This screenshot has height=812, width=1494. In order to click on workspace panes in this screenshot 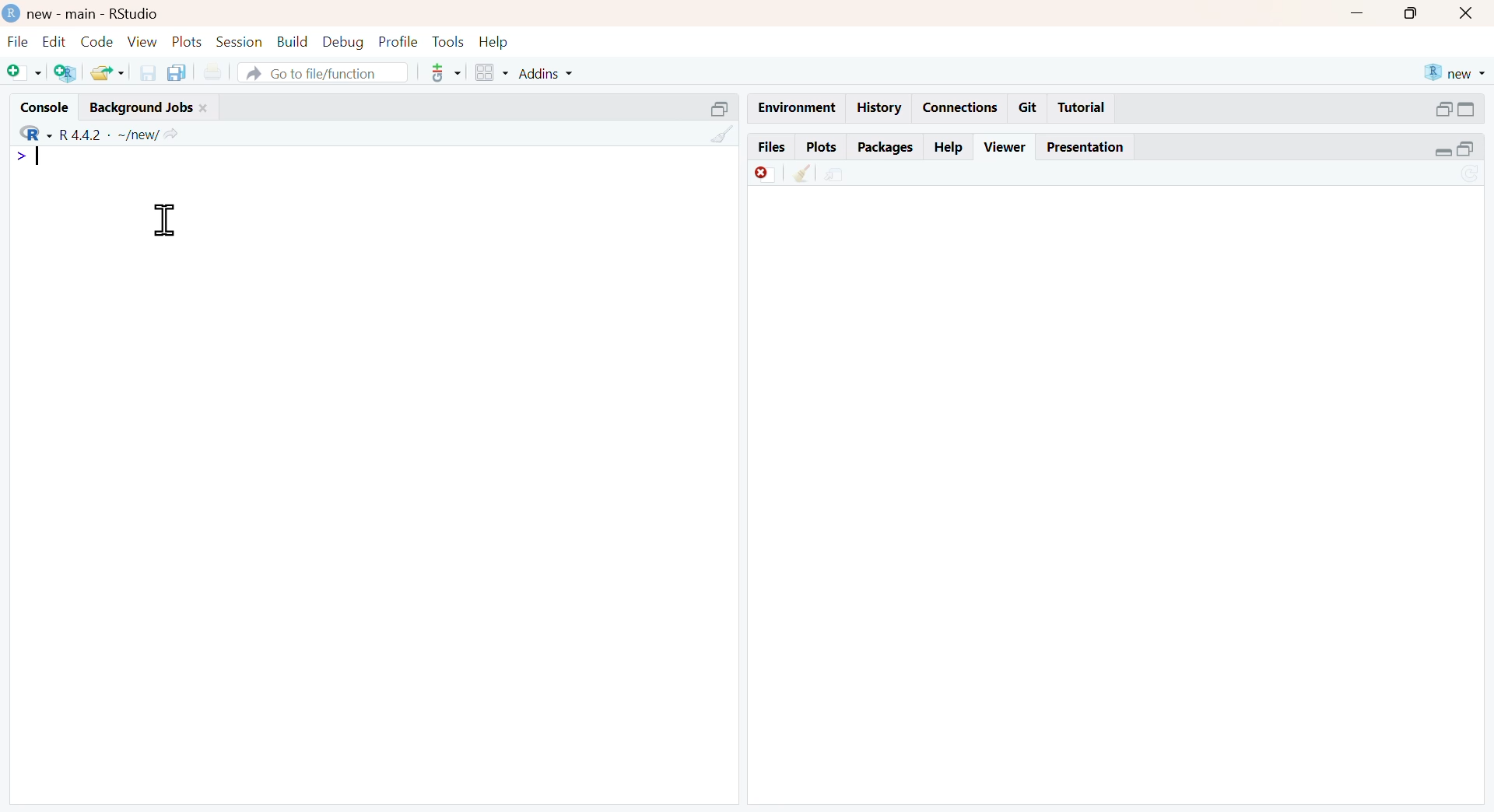, I will do `click(491, 72)`.